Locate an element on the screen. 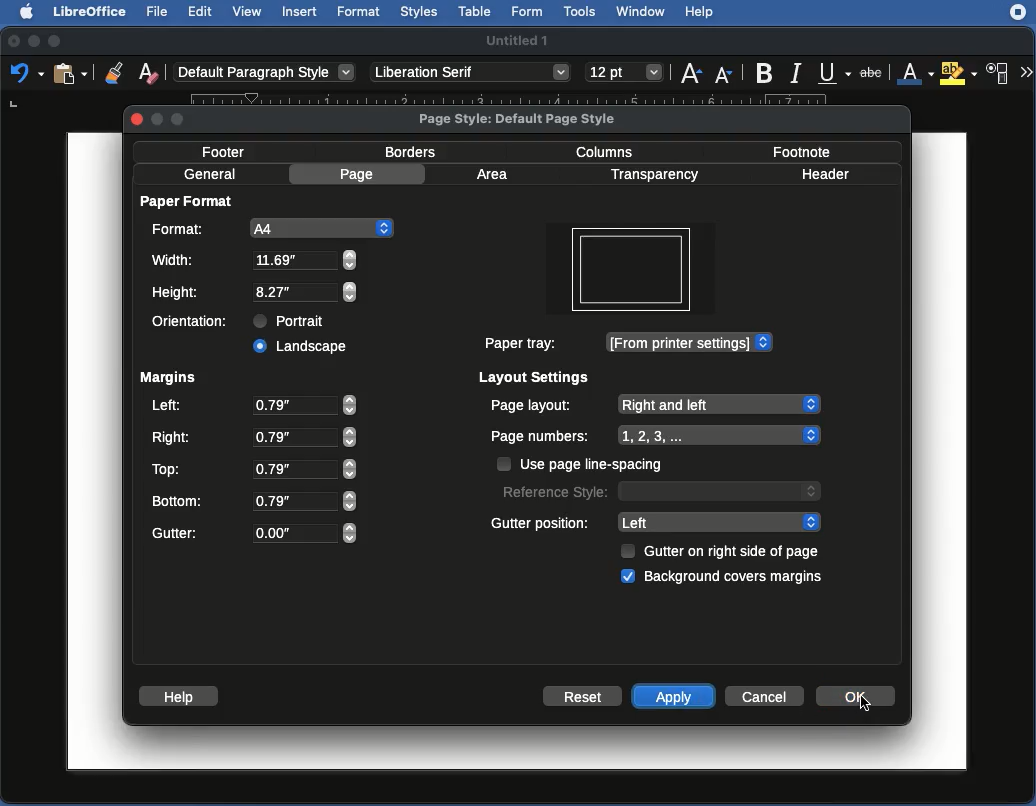 The width and height of the screenshot is (1036, 806). Help is located at coordinates (181, 697).